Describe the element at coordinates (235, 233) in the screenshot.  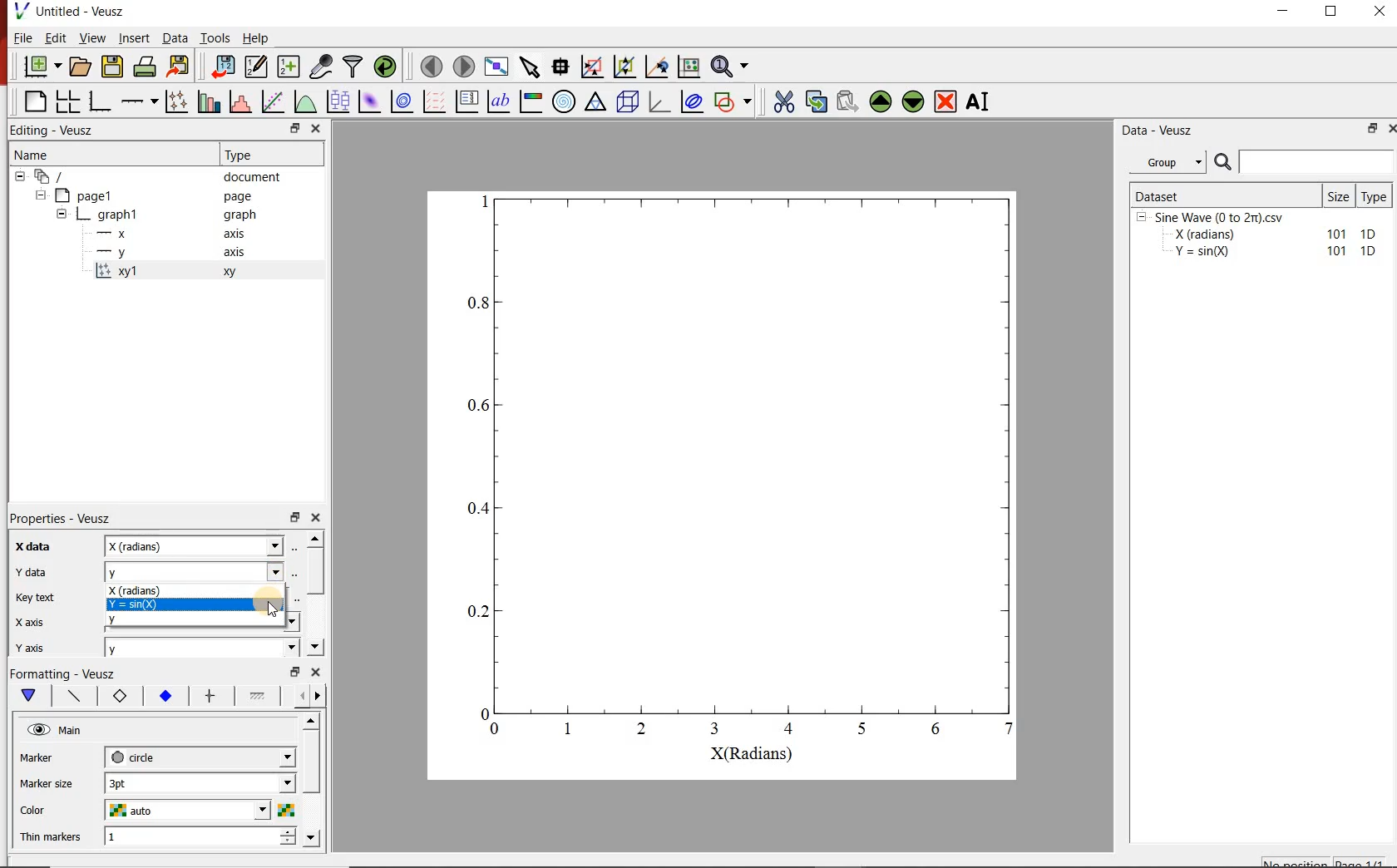
I see `axis` at that location.